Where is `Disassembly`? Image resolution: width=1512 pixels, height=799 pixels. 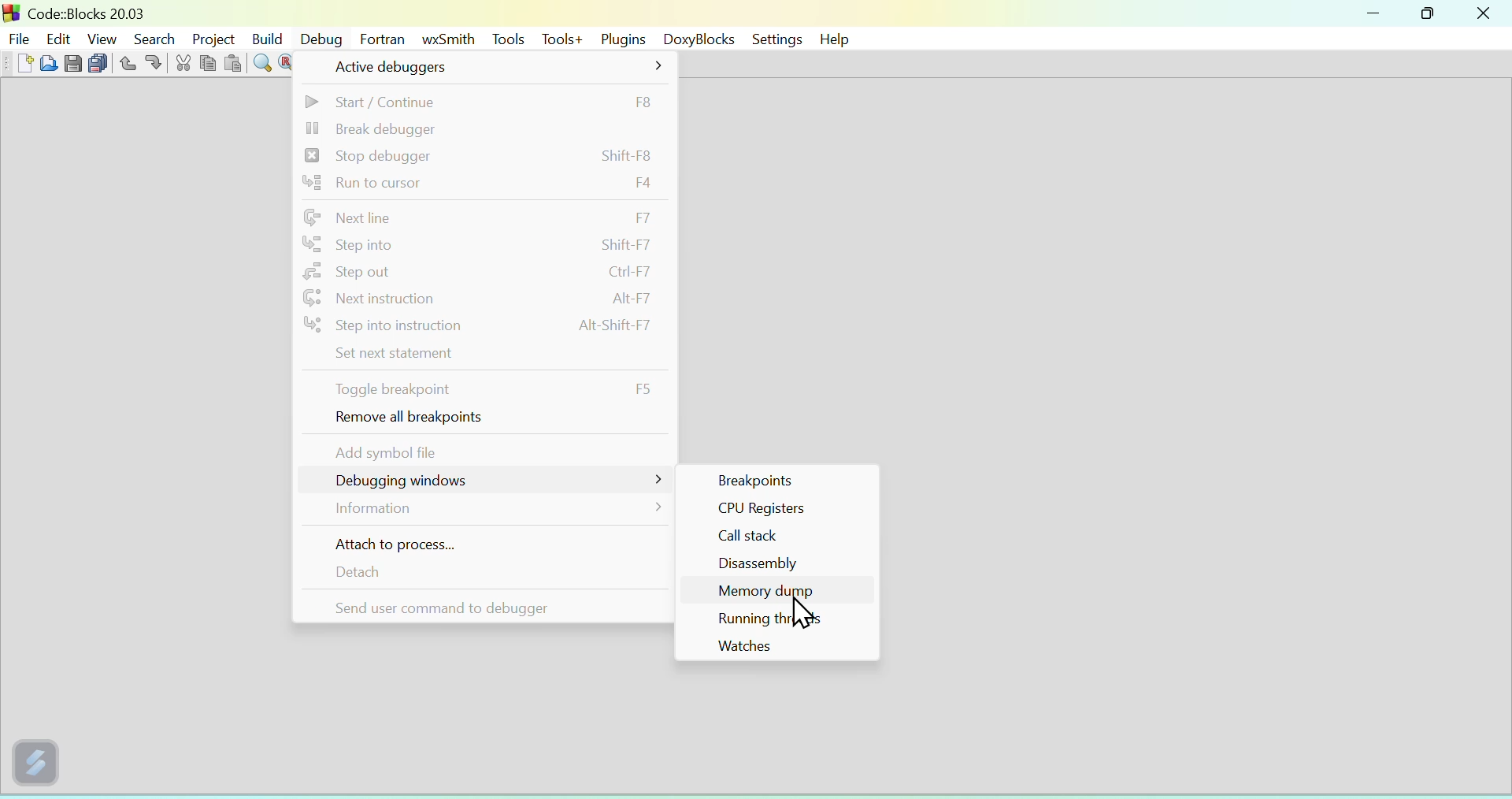
Disassembly is located at coordinates (778, 566).